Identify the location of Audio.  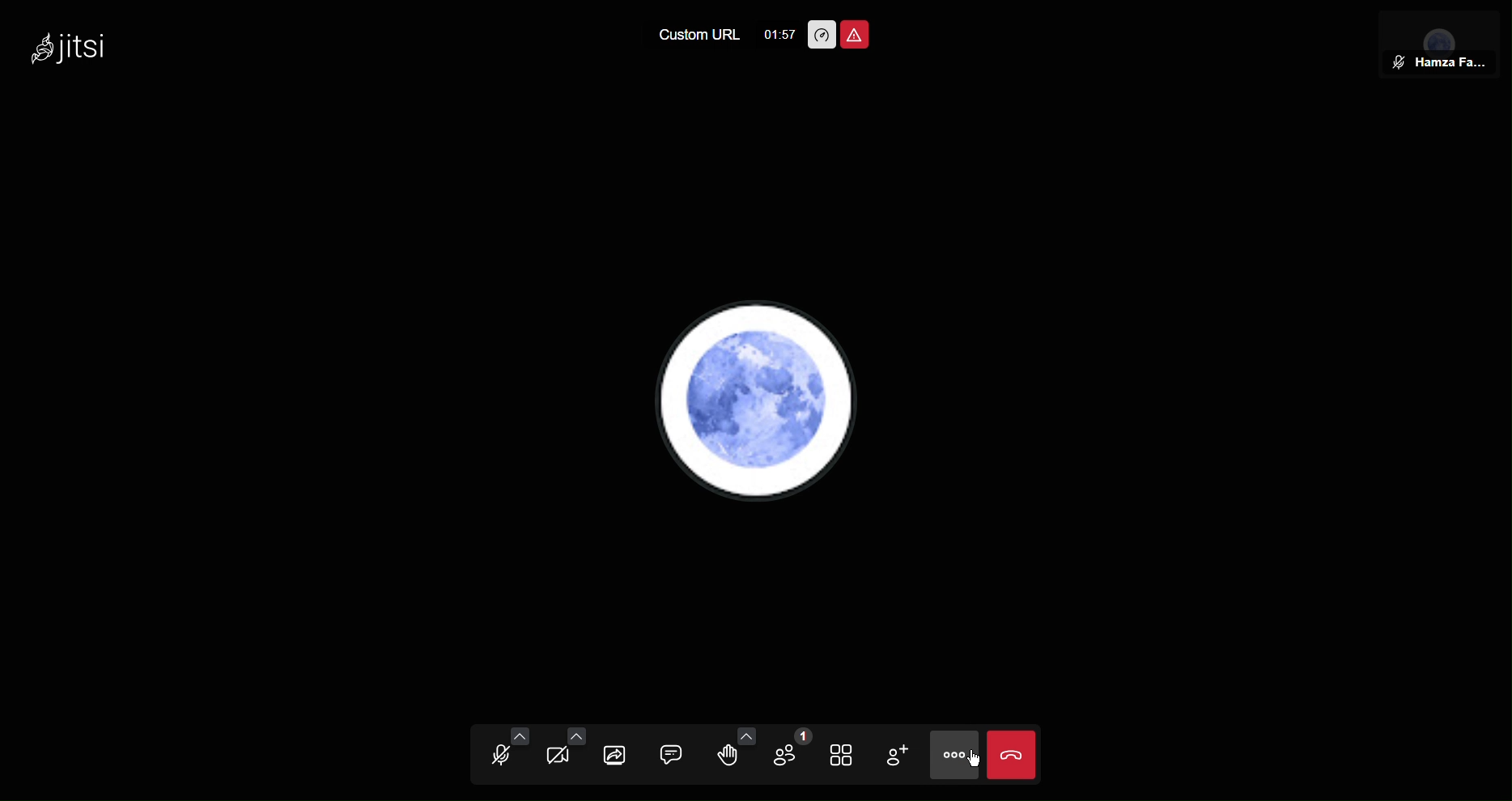
(507, 753).